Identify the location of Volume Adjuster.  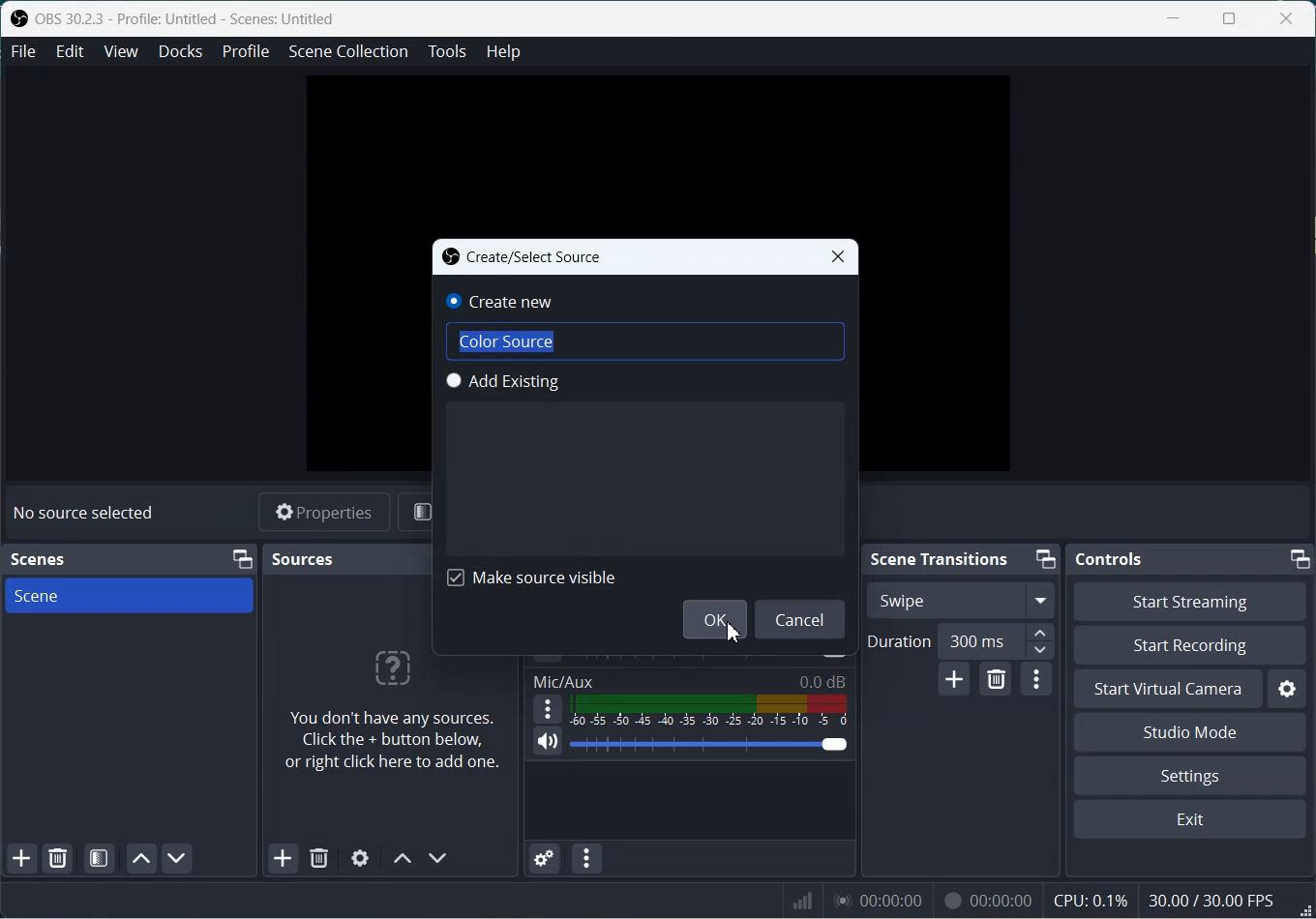
(710, 745).